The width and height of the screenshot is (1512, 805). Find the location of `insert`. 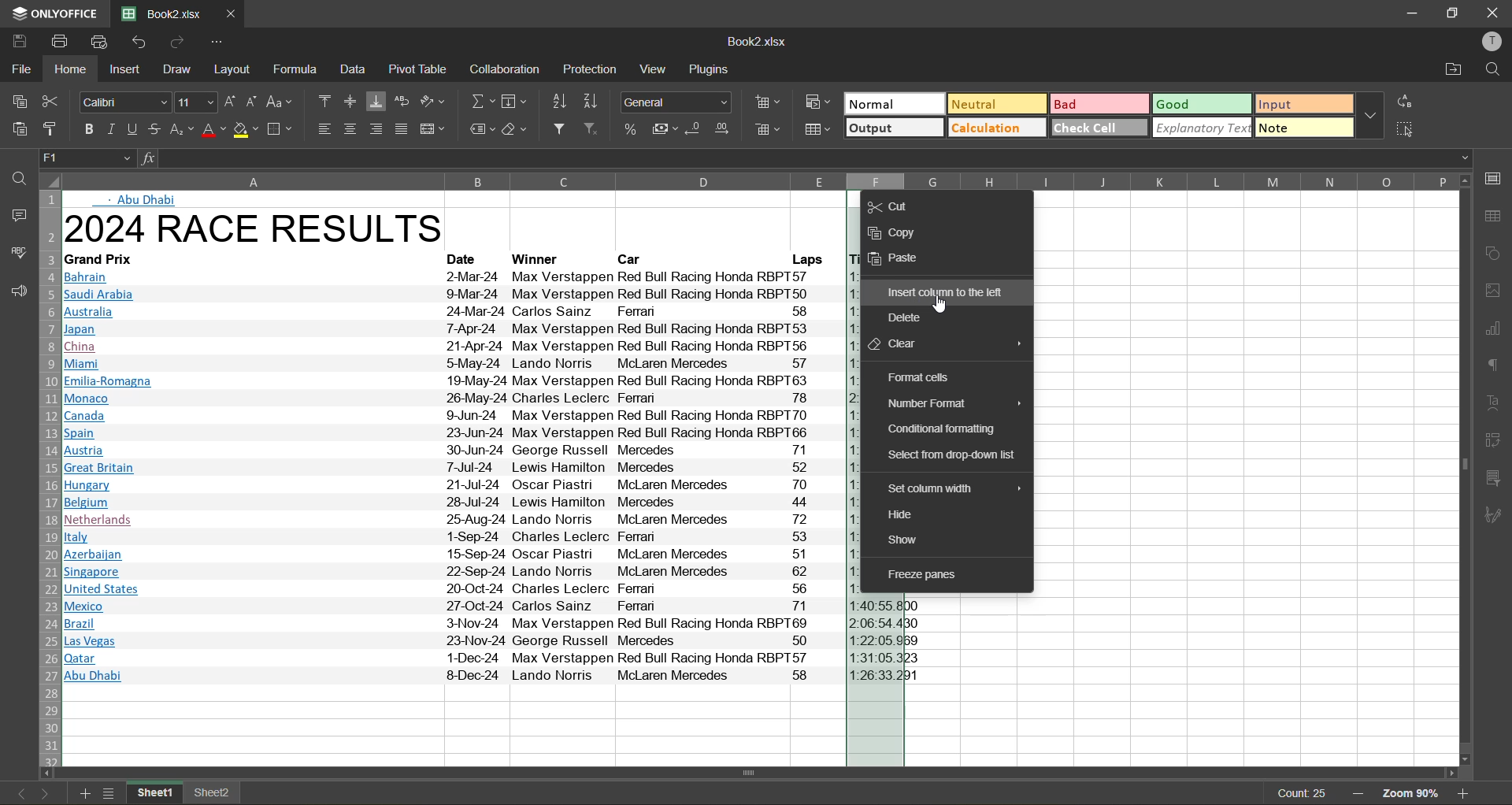

insert is located at coordinates (122, 70).